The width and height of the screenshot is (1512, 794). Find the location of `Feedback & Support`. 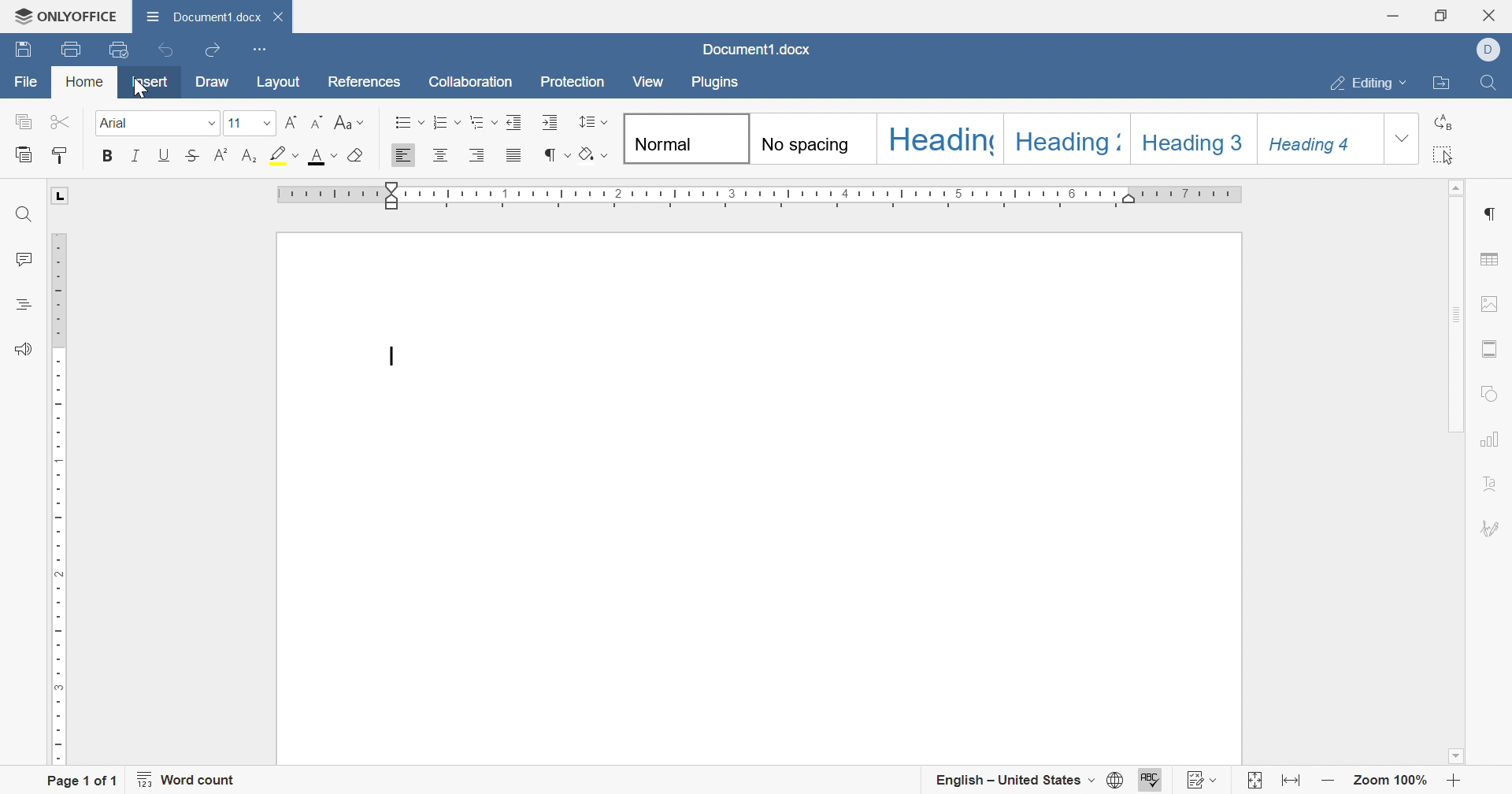

Feedback & Support is located at coordinates (24, 347).